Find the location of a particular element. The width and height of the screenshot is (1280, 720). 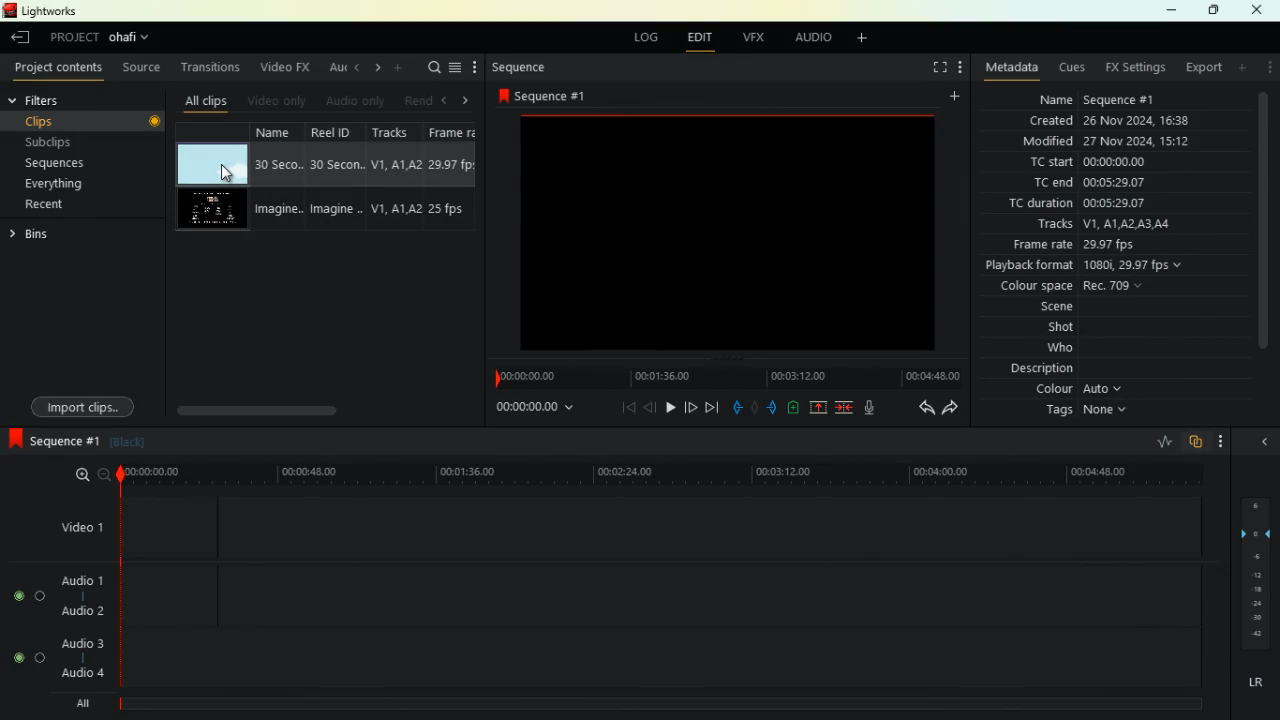

more is located at coordinates (957, 67).